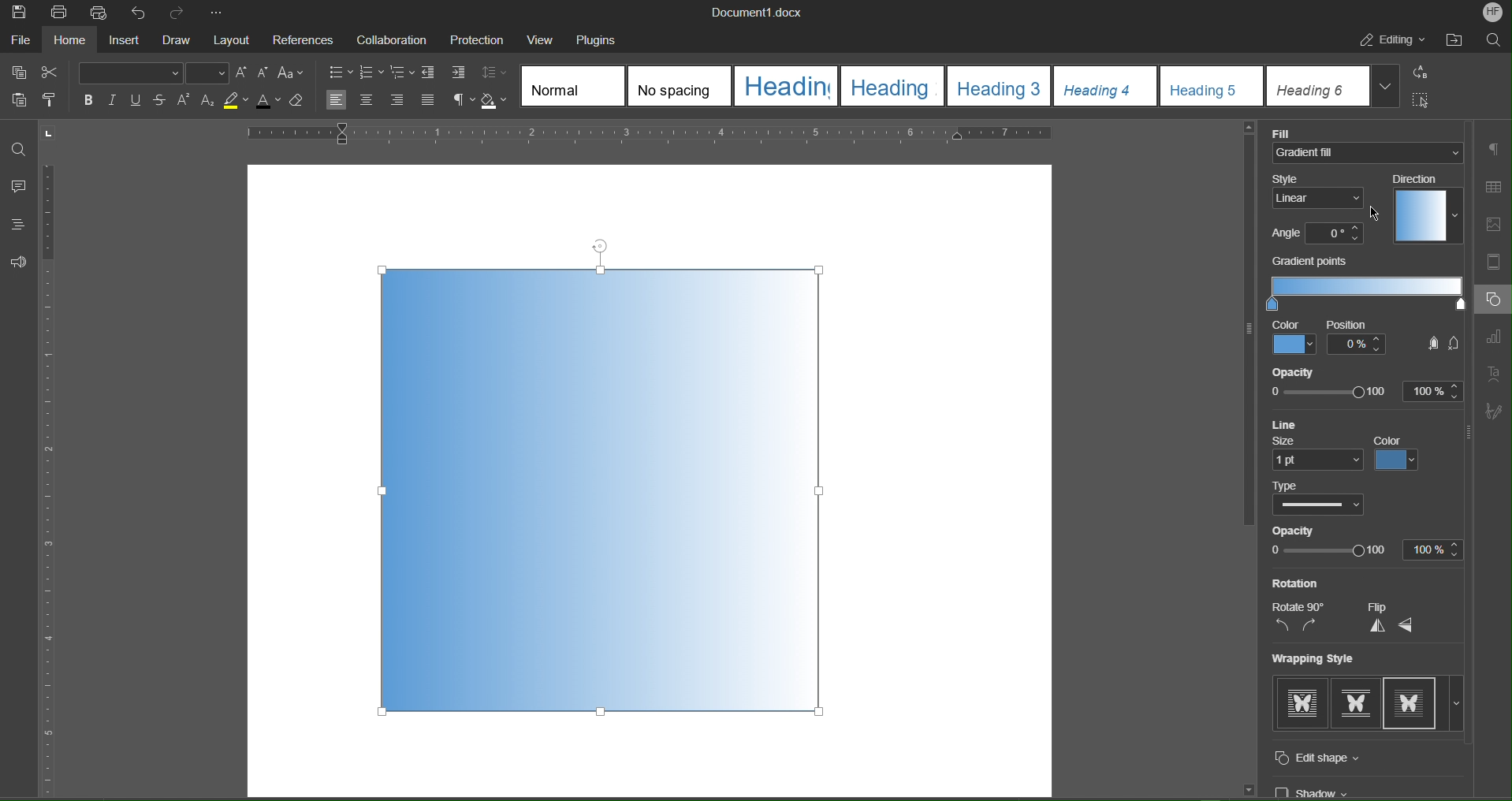 The height and width of the screenshot is (801, 1512). I want to click on Right Align, so click(399, 101).